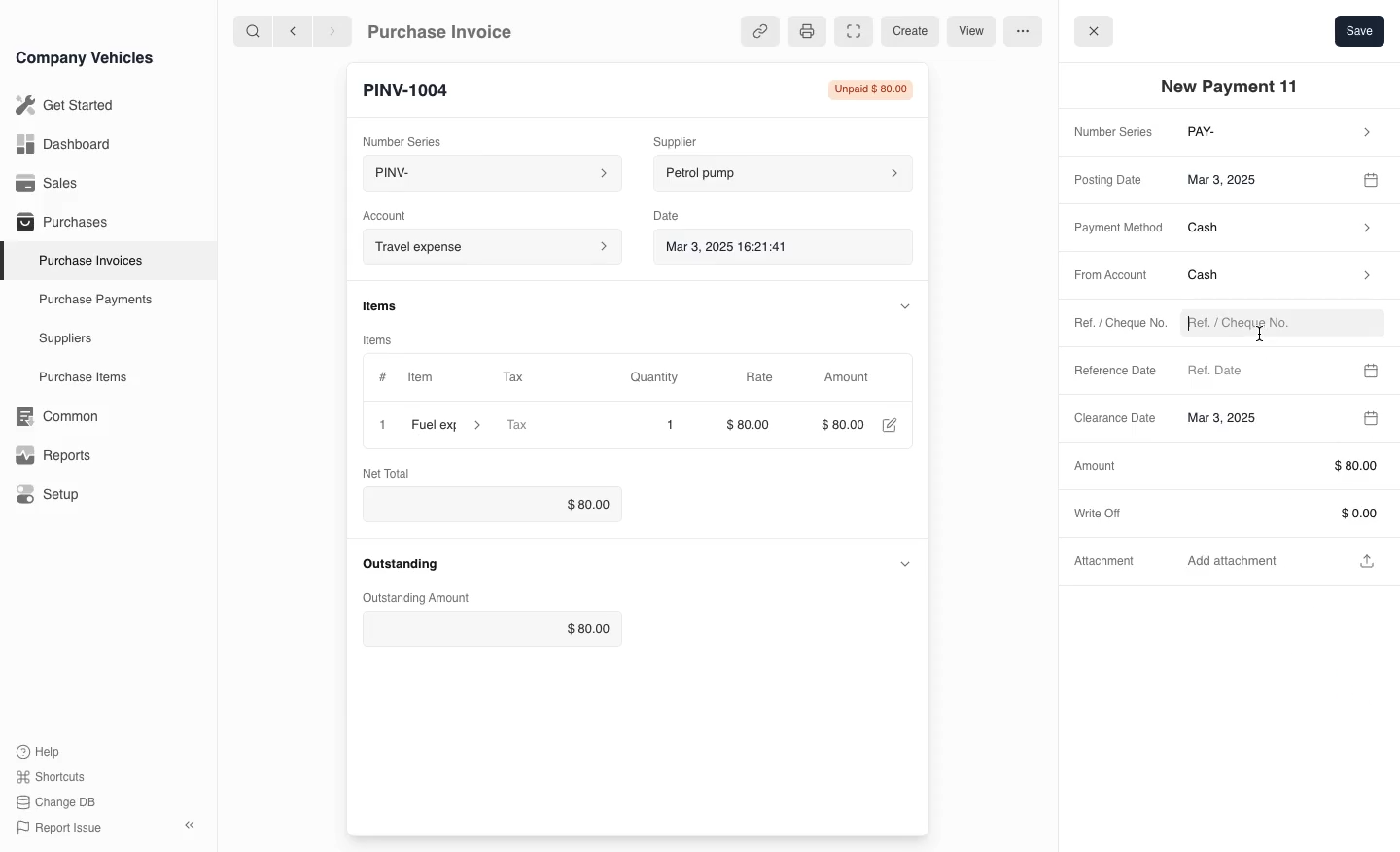 The width and height of the screenshot is (1400, 852). I want to click on Dashboard, so click(62, 144).